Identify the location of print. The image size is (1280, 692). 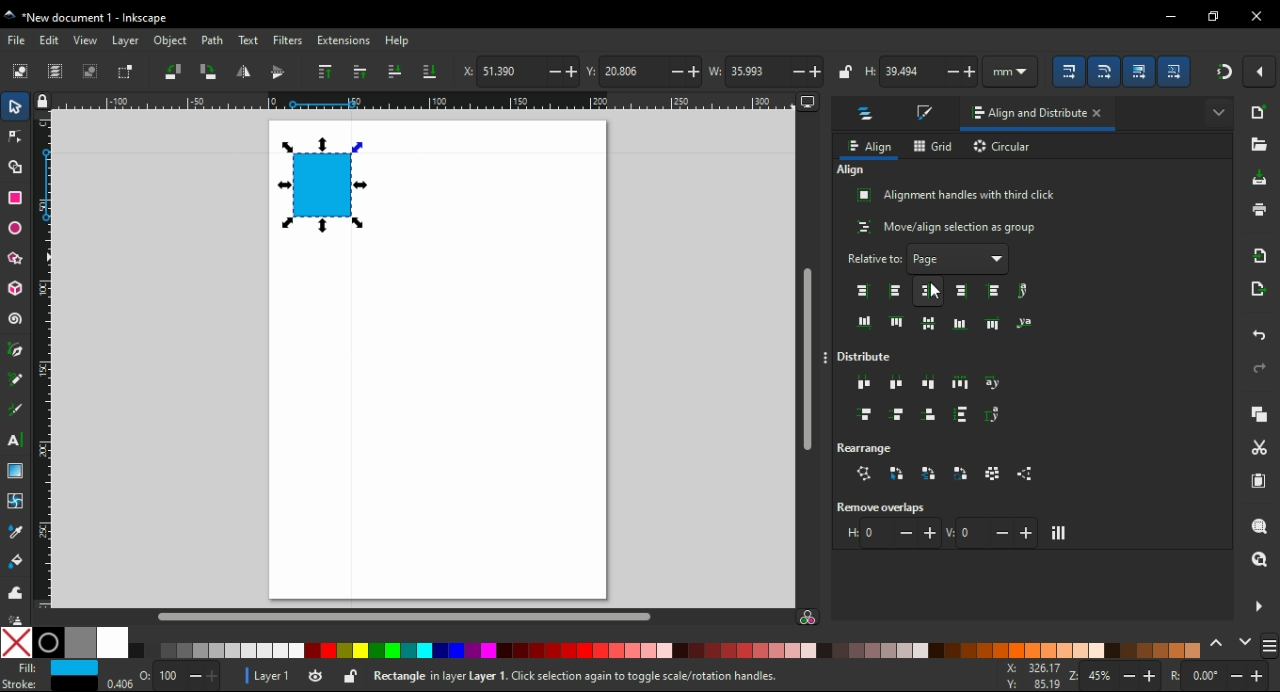
(1259, 210).